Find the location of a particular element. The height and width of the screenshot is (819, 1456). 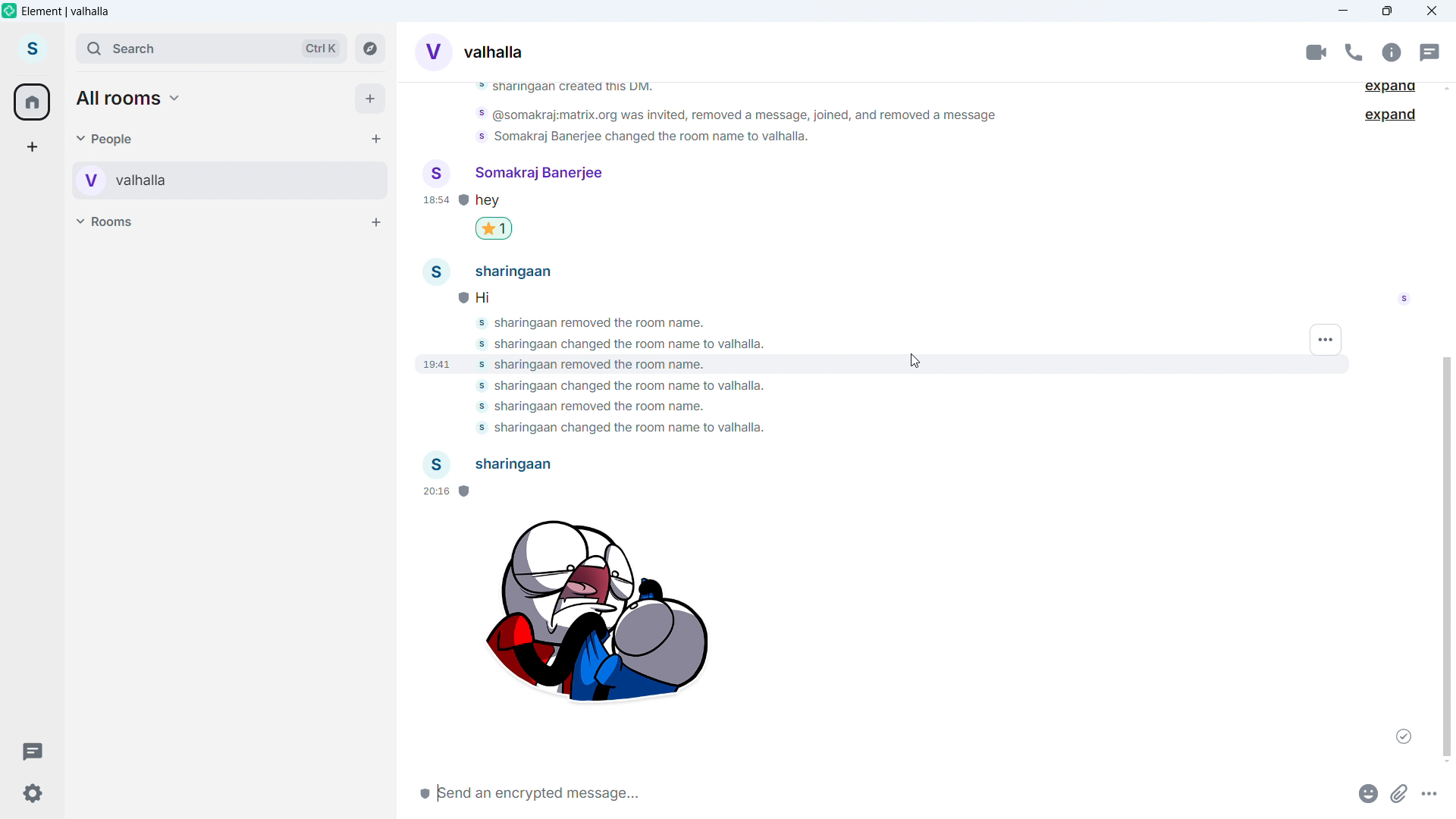

Message sent is located at coordinates (1404, 736).